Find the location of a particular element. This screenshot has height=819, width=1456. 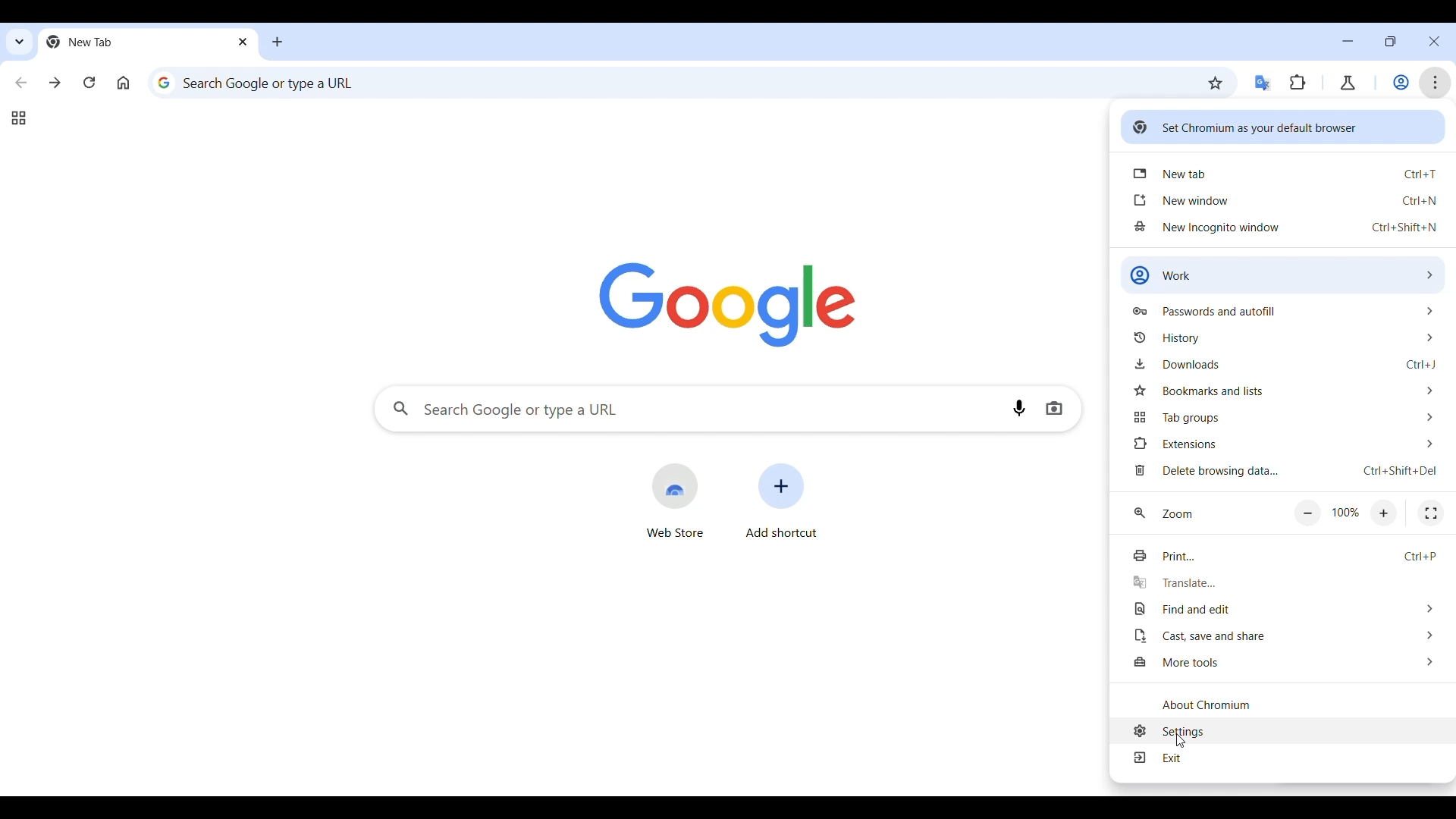

Close current tab is located at coordinates (243, 41).